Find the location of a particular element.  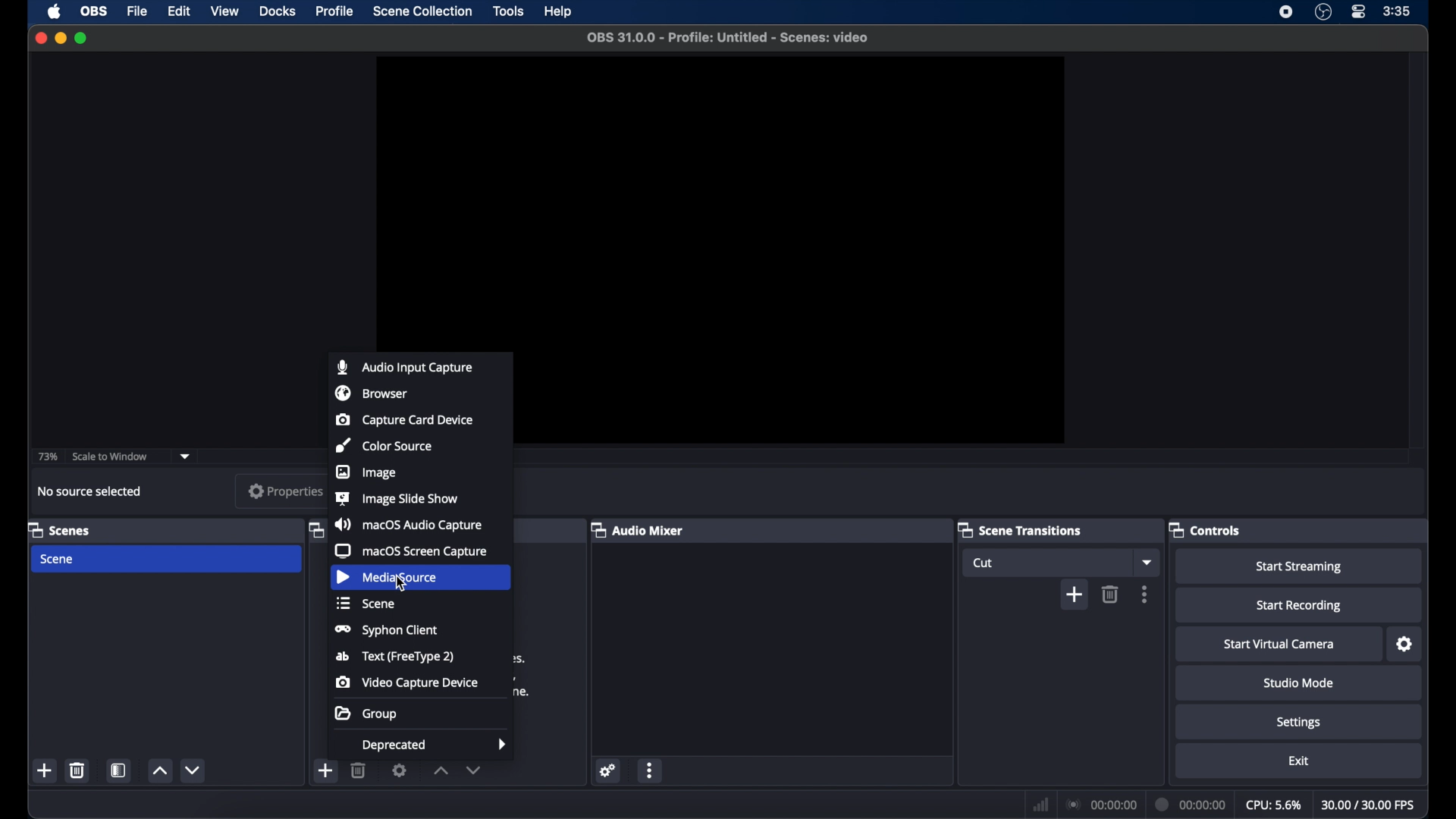

scene transitions is located at coordinates (1019, 529).